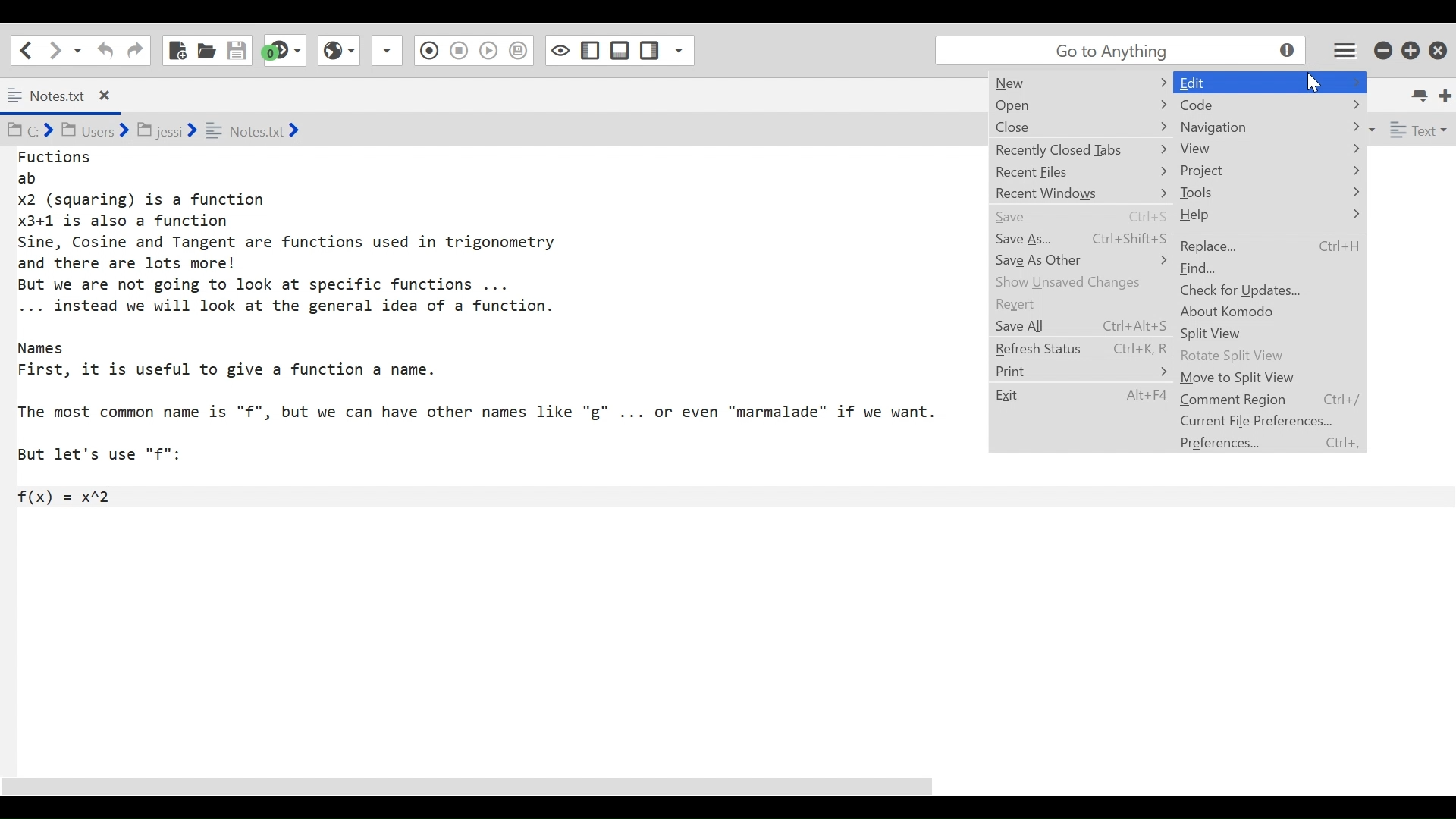 Image resolution: width=1456 pixels, height=819 pixels. Describe the element at coordinates (1245, 292) in the screenshot. I see `check for Updates...` at that location.